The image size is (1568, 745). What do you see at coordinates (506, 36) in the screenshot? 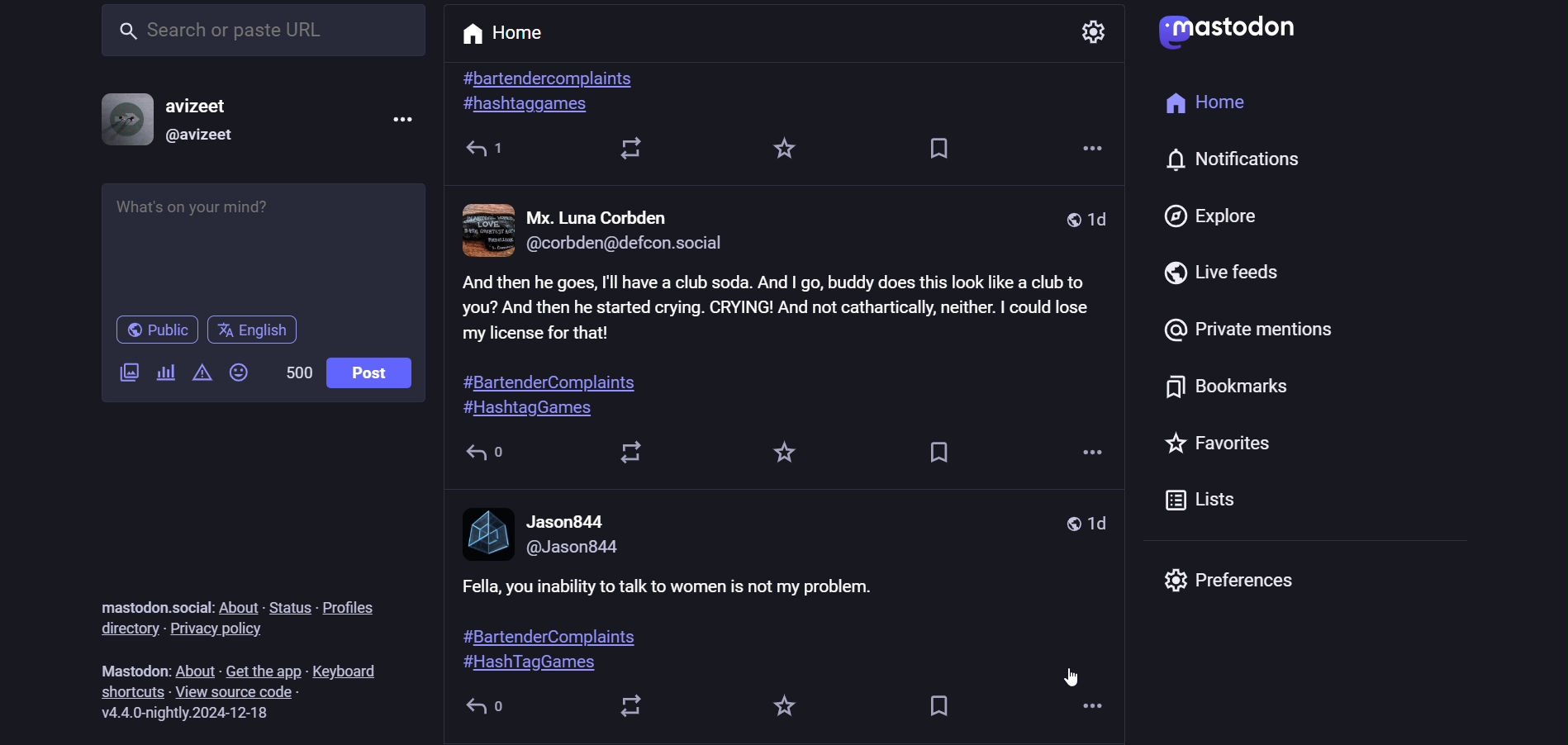
I see `home` at bounding box center [506, 36].